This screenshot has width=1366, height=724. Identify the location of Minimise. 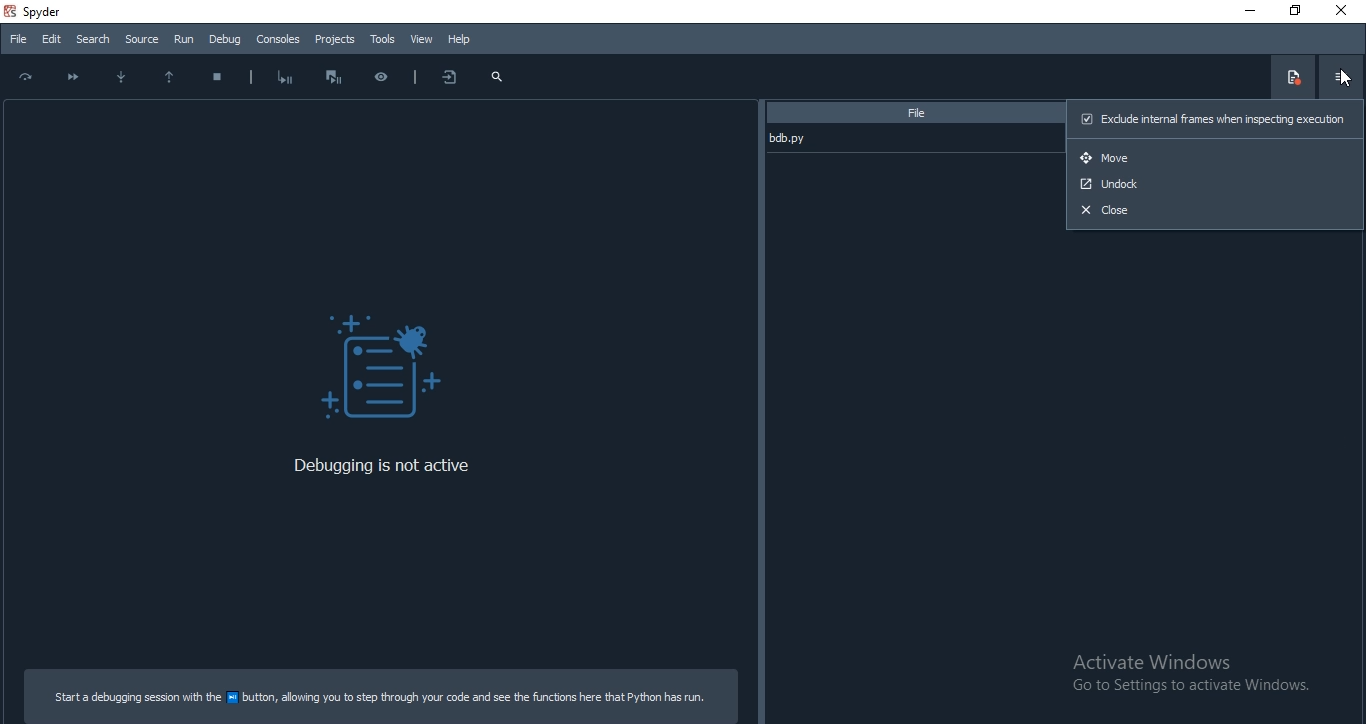
(1244, 12).